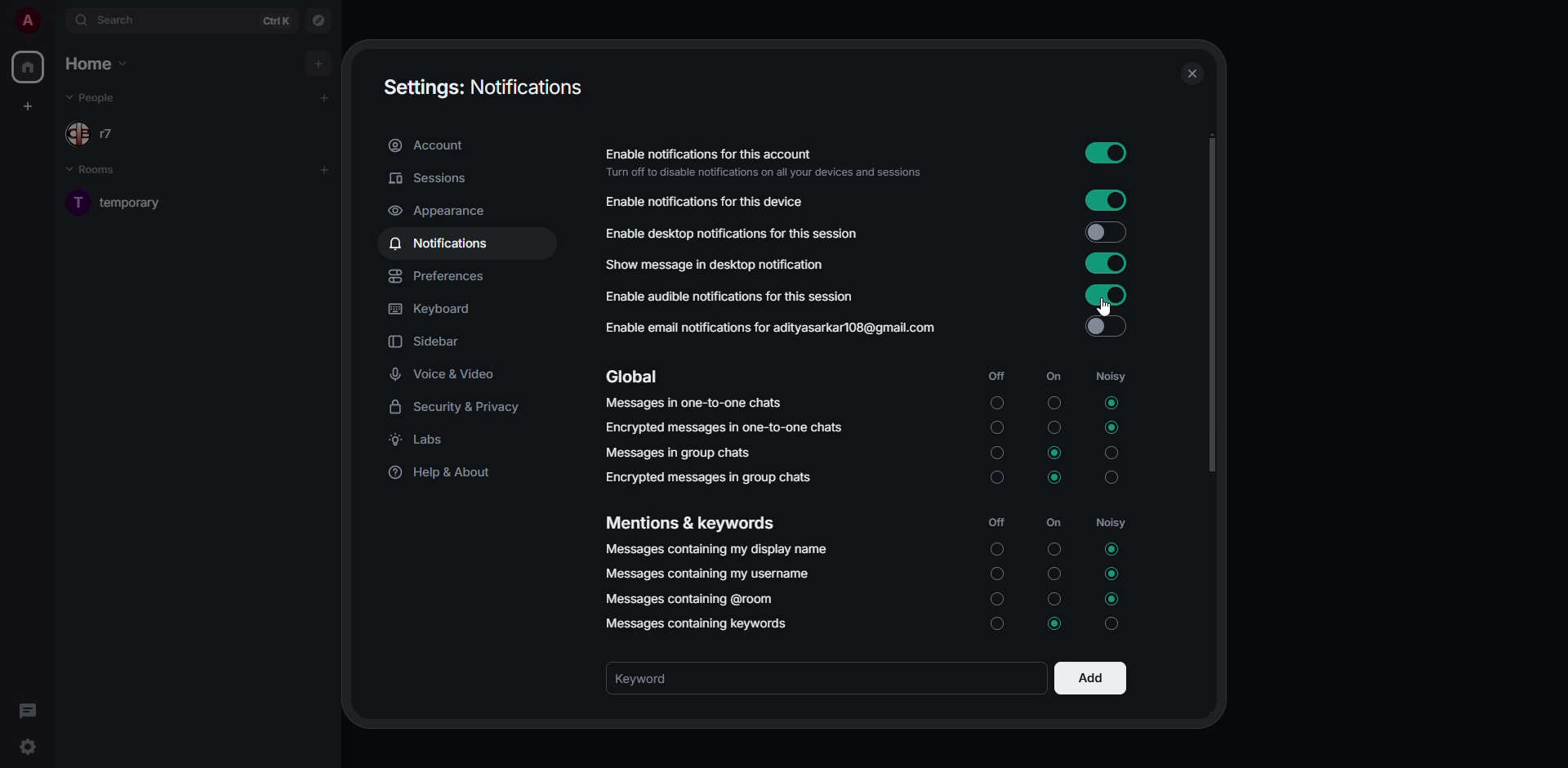 The image size is (1568, 768). I want to click on ctrl K, so click(275, 20).